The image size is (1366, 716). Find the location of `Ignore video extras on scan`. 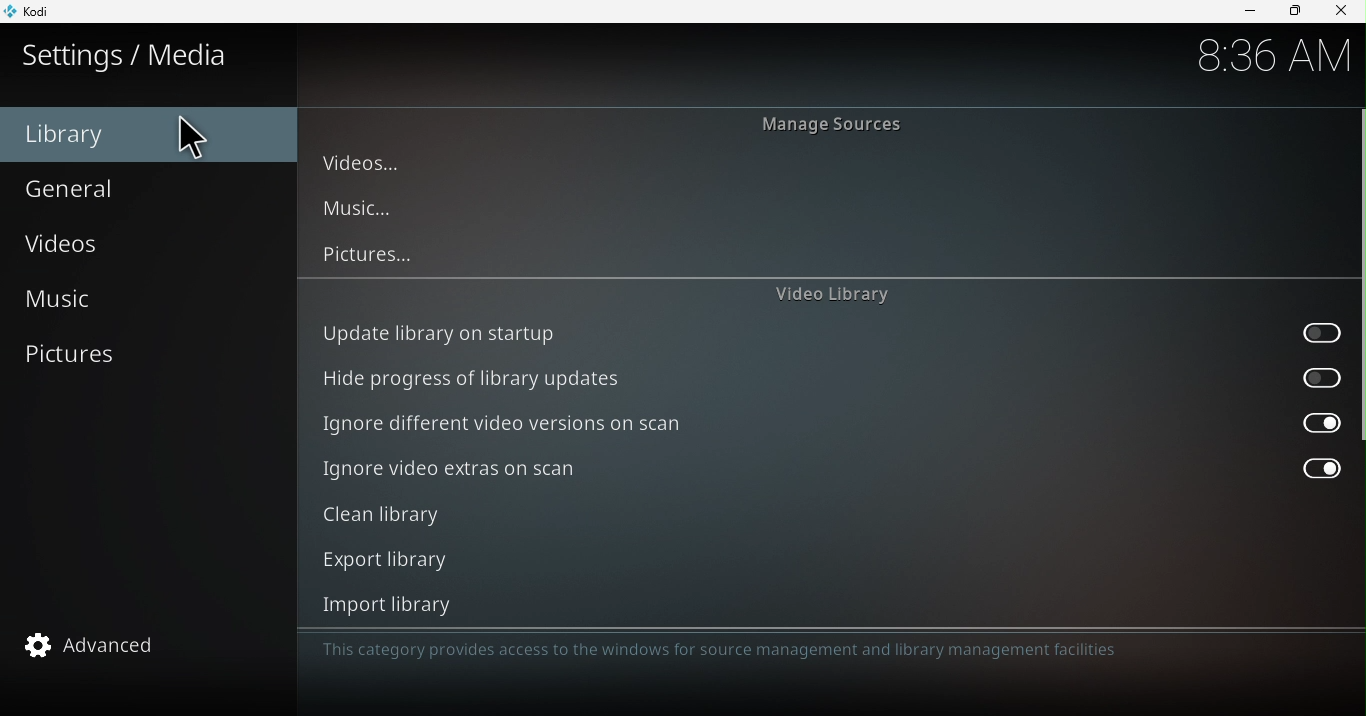

Ignore video extras on scan is located at coordinates (830, 469).